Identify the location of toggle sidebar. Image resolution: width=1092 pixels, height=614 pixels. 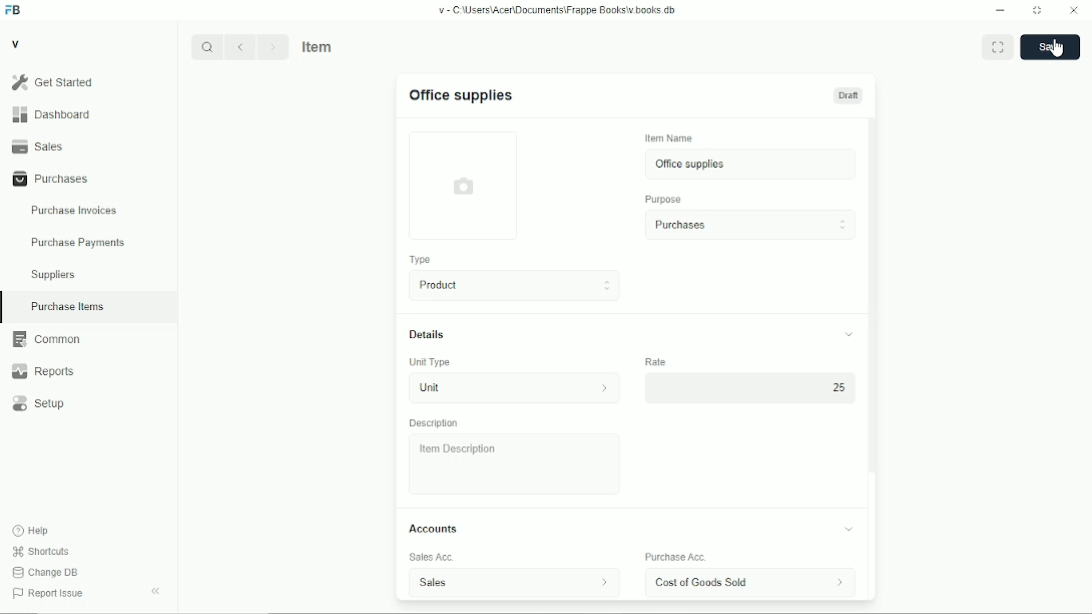
(157, 591).